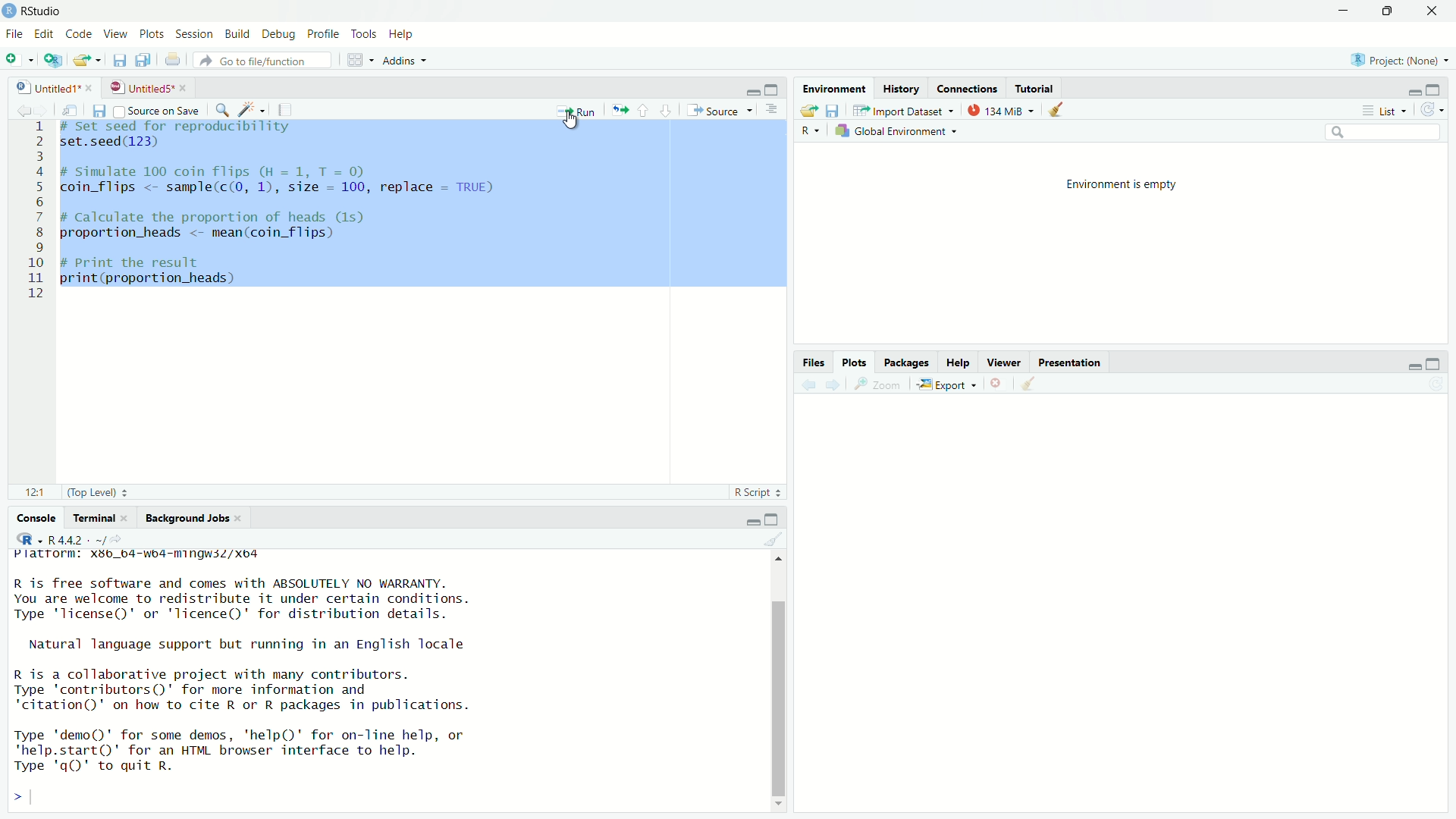 The image size is (1456, 819). I want to click on compile report, so click(293, 108).